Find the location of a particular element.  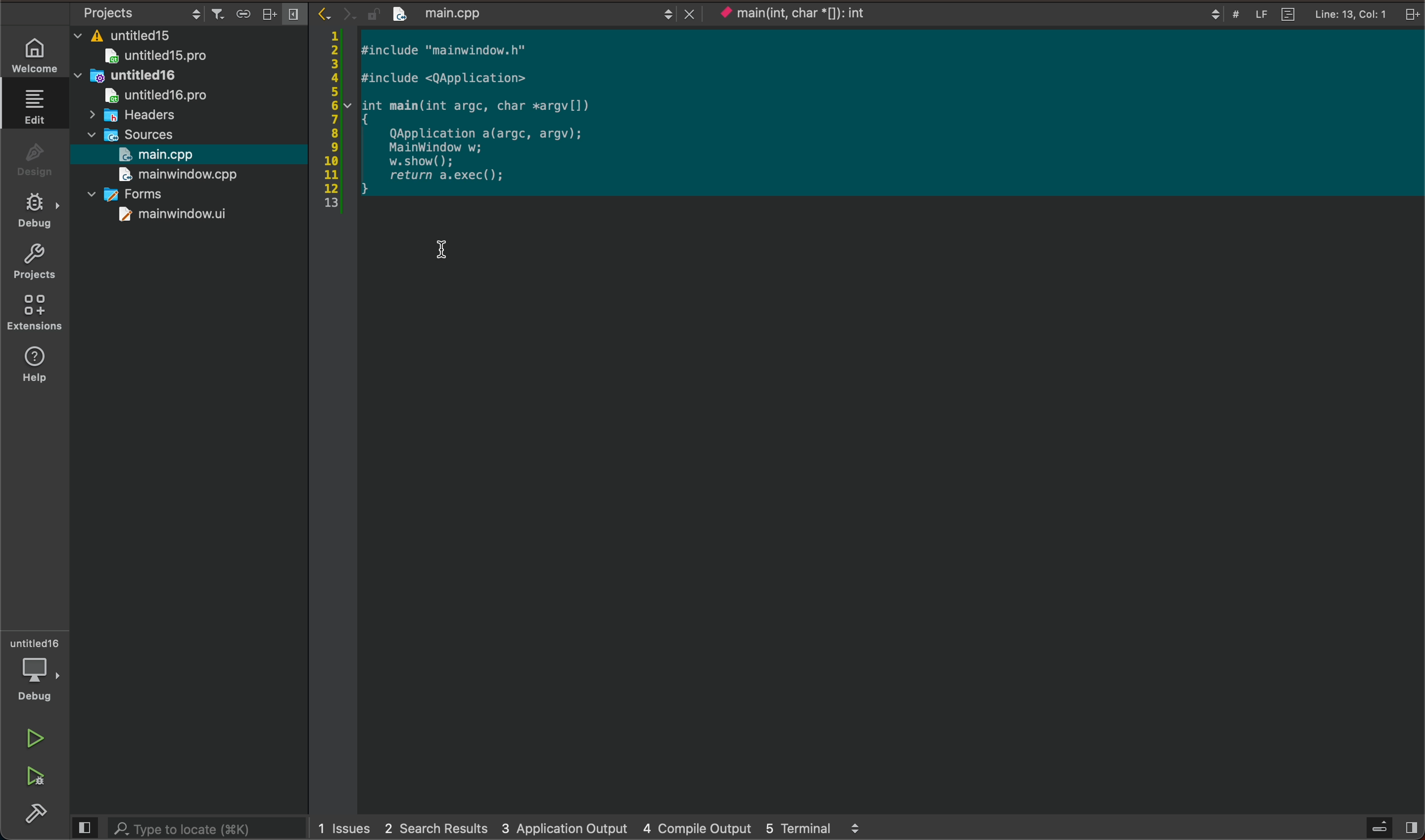

search is located at coordinates (186, 828).